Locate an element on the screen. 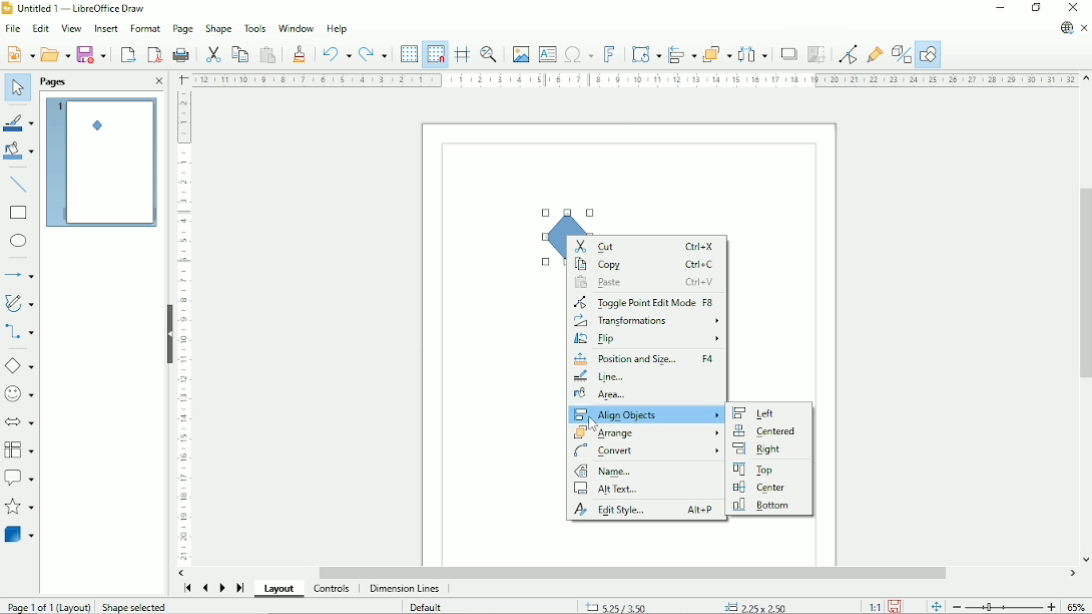 The image size is (1092, 614). Edit style is located at coordinates (646, 511).